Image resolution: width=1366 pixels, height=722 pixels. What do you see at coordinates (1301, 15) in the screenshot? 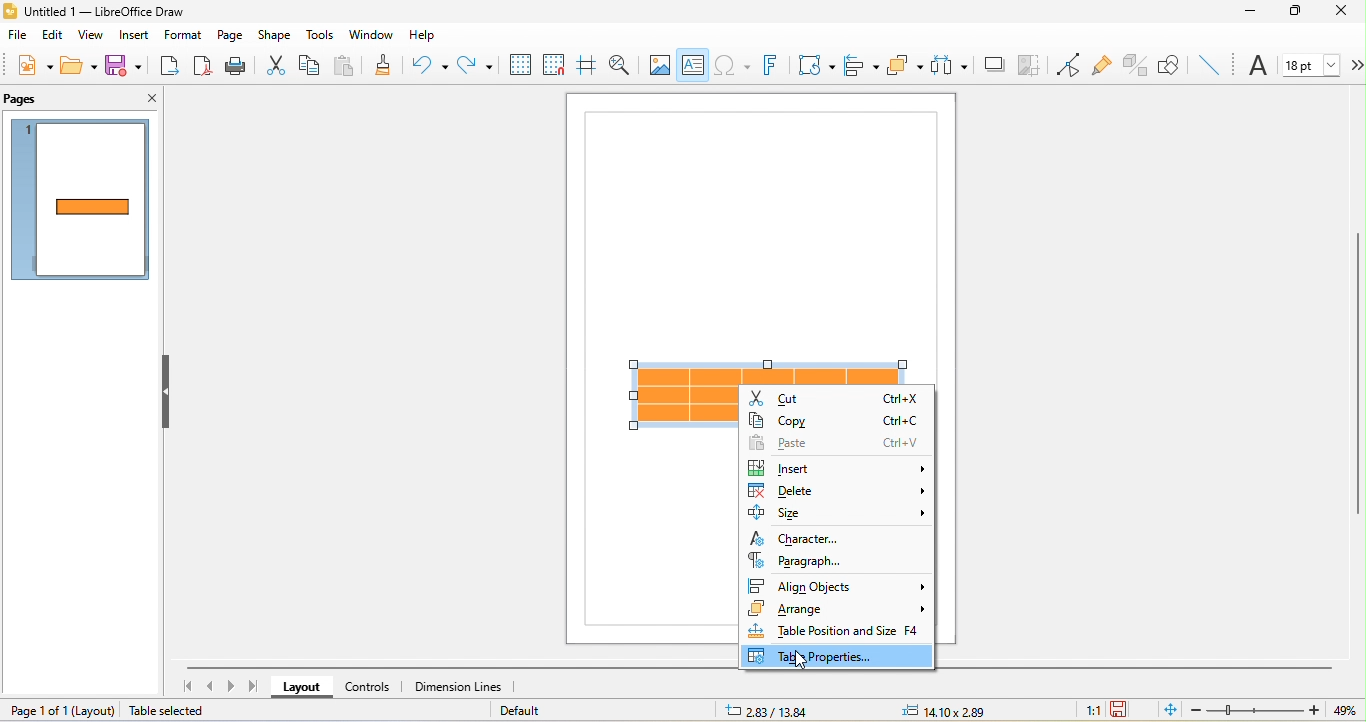
I see `maximize` at bounding box center [1301, 15].